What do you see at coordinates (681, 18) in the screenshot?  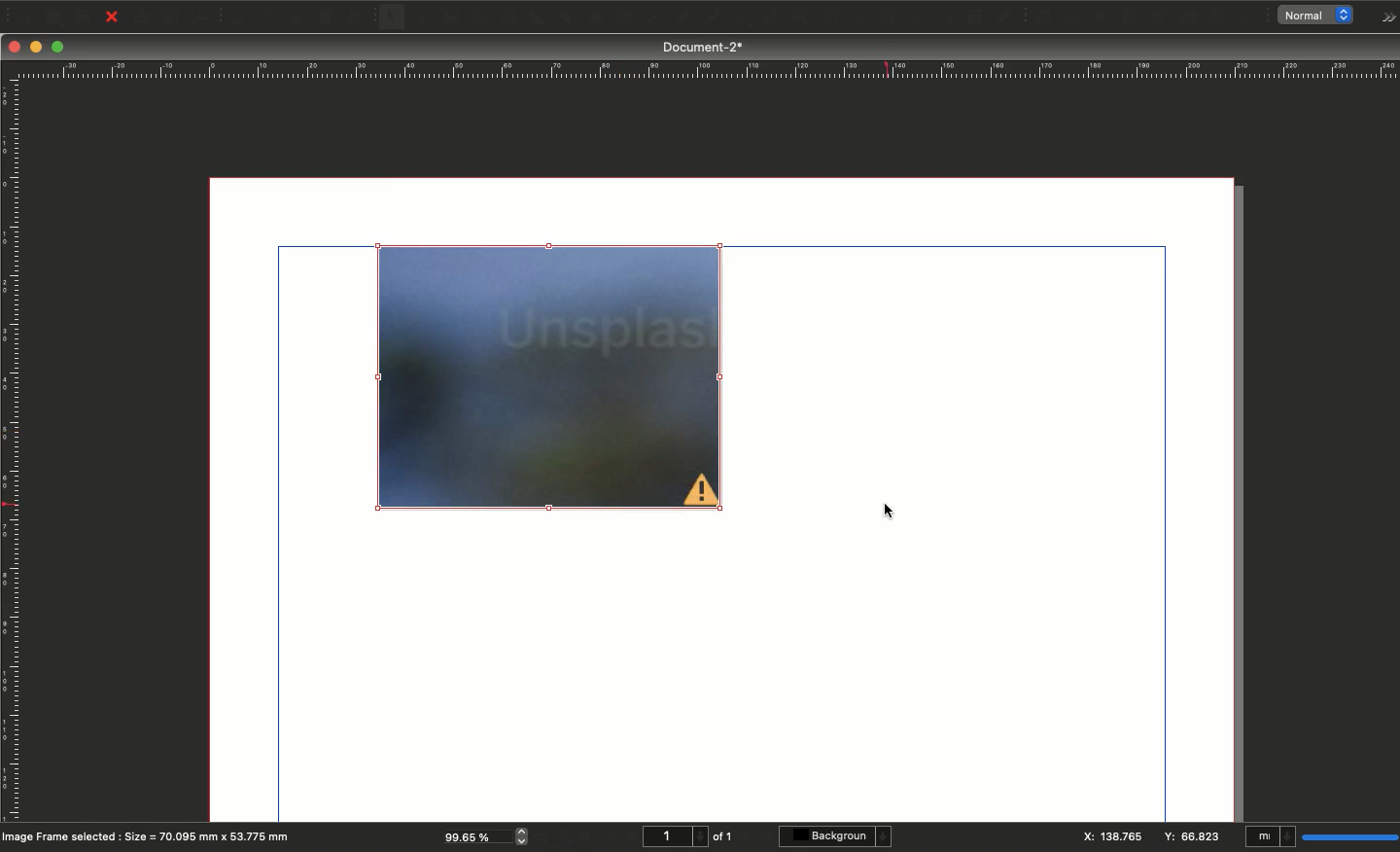 I see `Bézier curve` at bounding box center [681, 18].